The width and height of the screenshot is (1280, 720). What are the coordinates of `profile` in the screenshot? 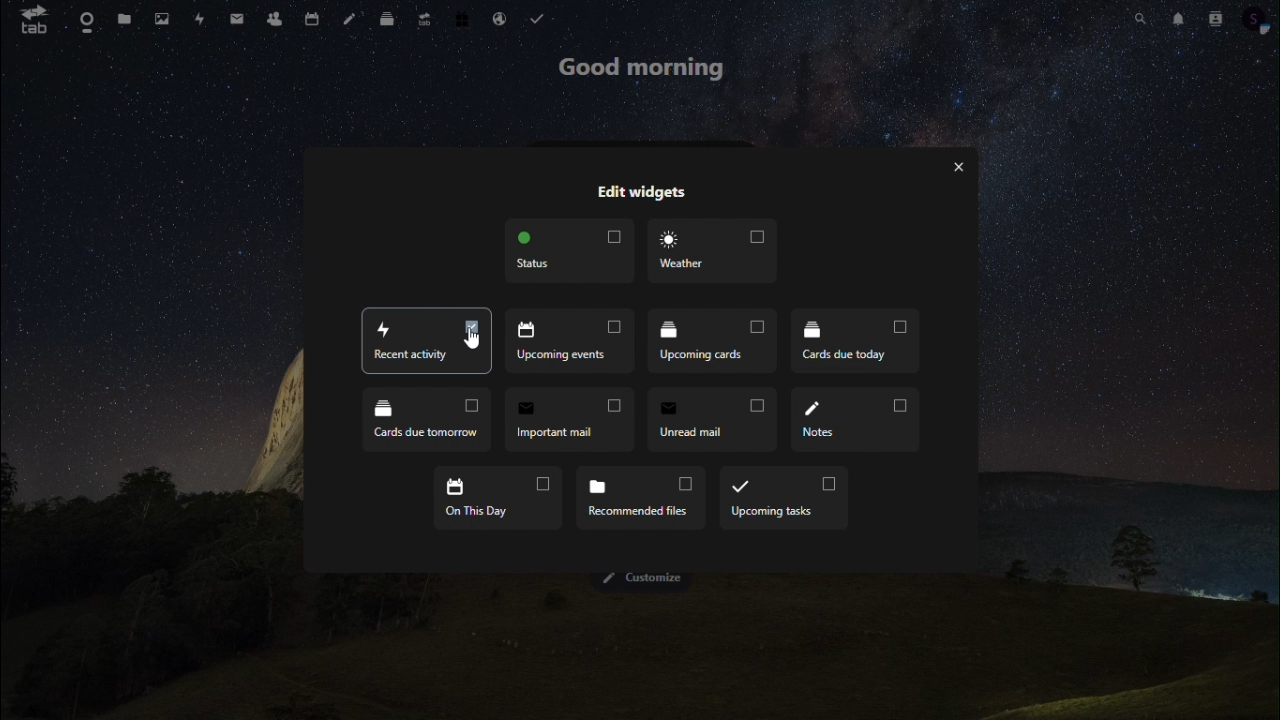 It's located at (1261, 28).